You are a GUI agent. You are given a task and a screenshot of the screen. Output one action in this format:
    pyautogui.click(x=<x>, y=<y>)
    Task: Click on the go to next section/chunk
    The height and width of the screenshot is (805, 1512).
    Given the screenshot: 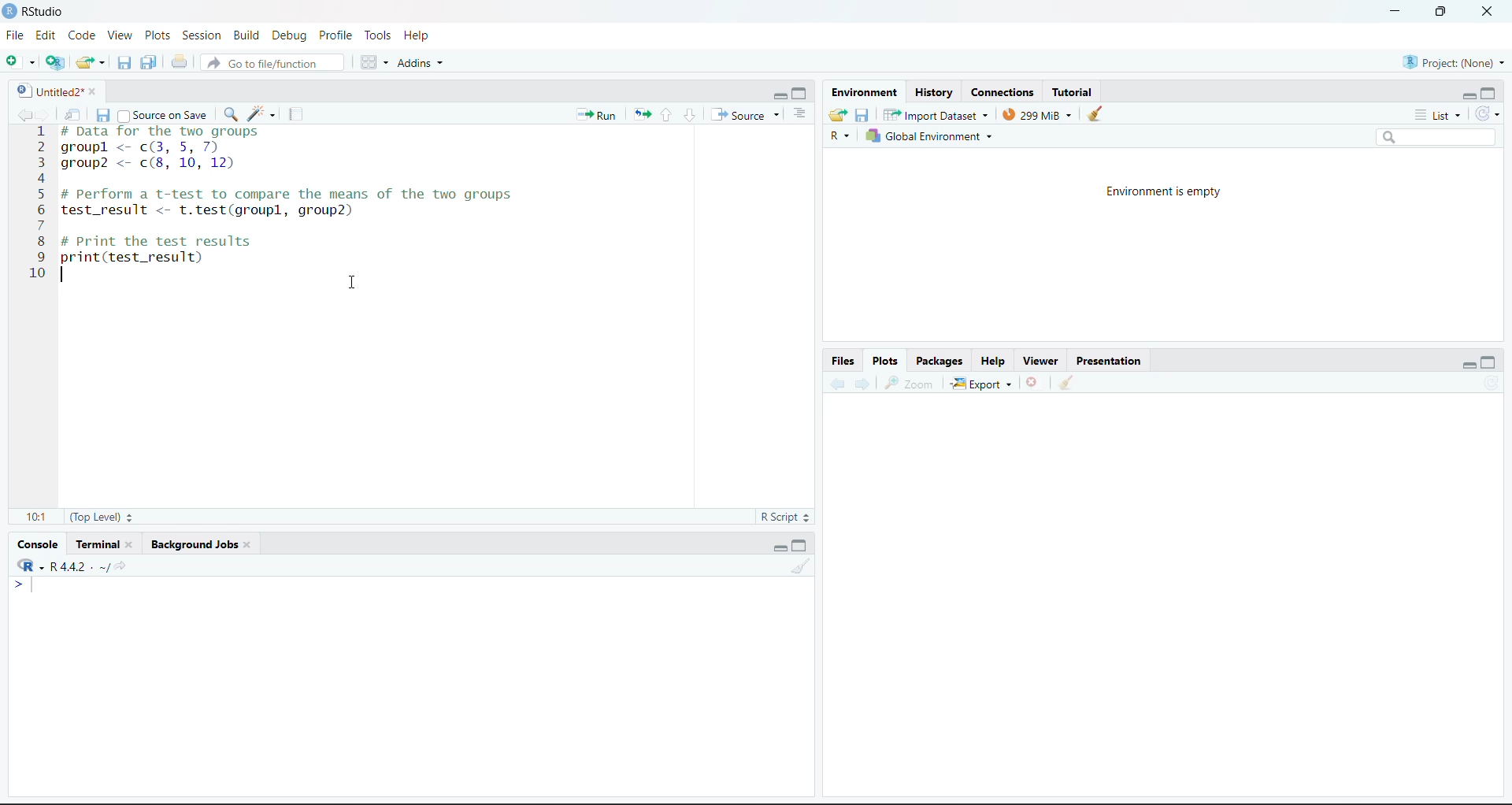 What is the action you would take?
    pyautogui.click(x=691, y=116)
    